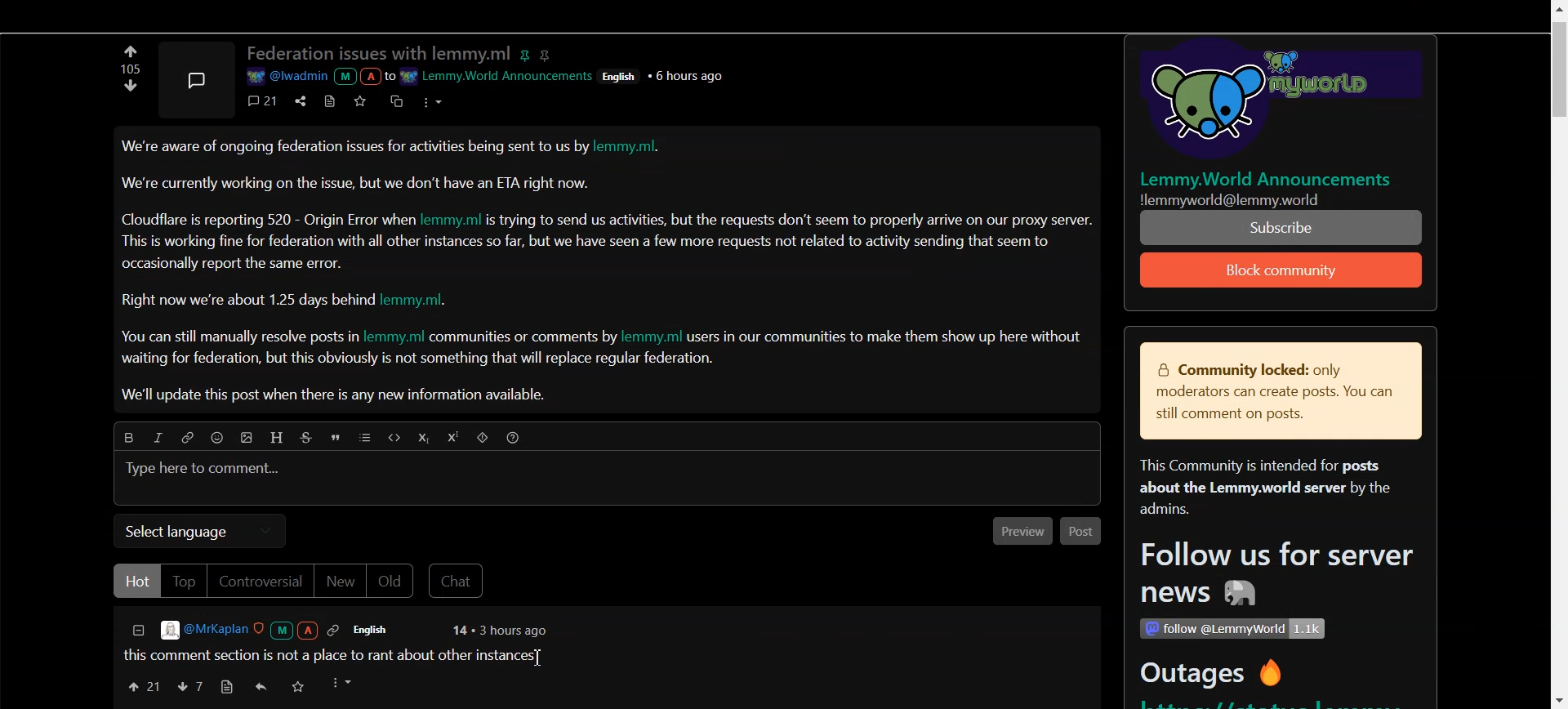  Describe the element at coordinates (430, 100) in the screenshot. I see `options` at that location.